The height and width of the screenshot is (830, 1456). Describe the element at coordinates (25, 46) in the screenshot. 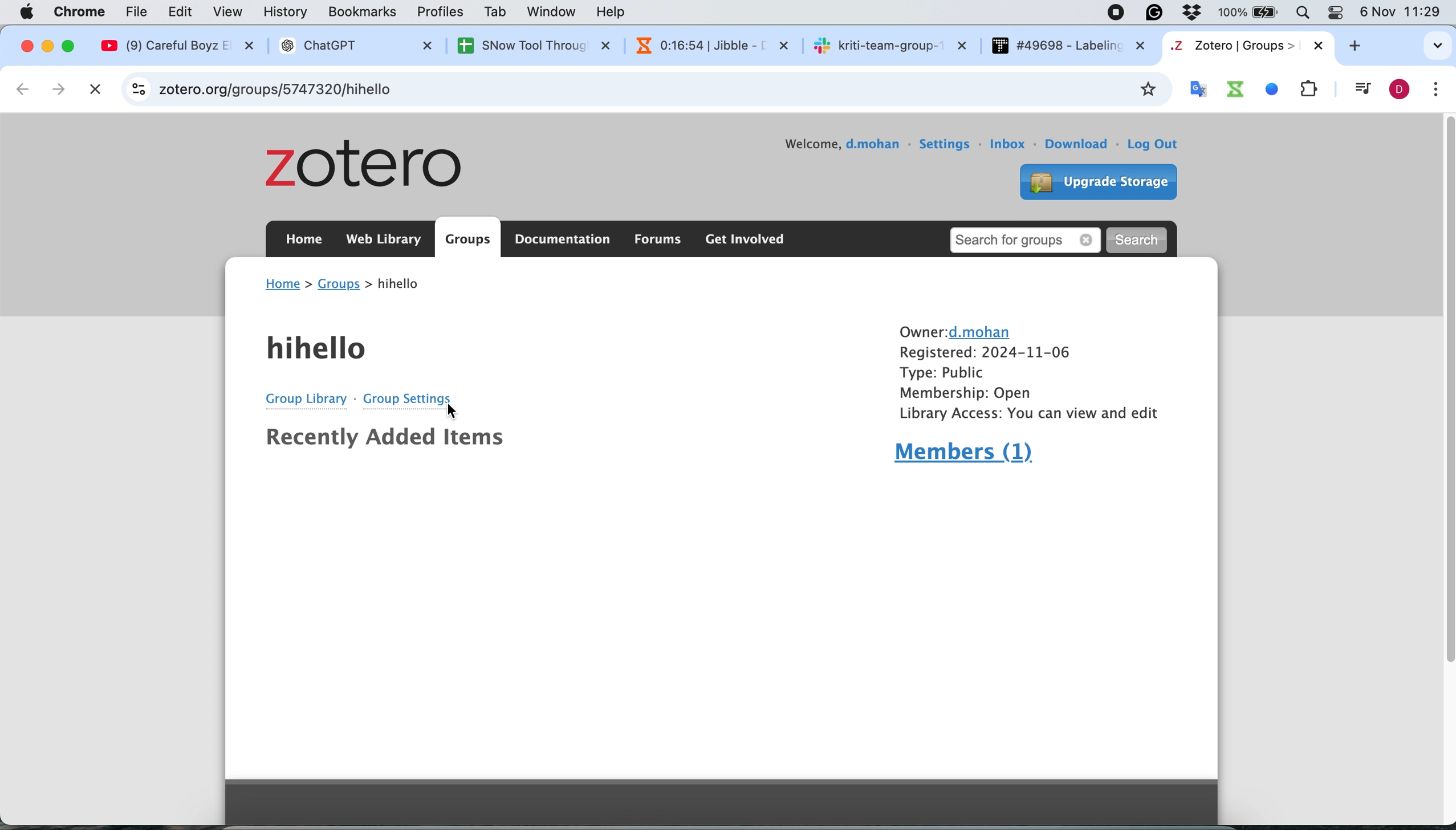

I see `close` at that location.